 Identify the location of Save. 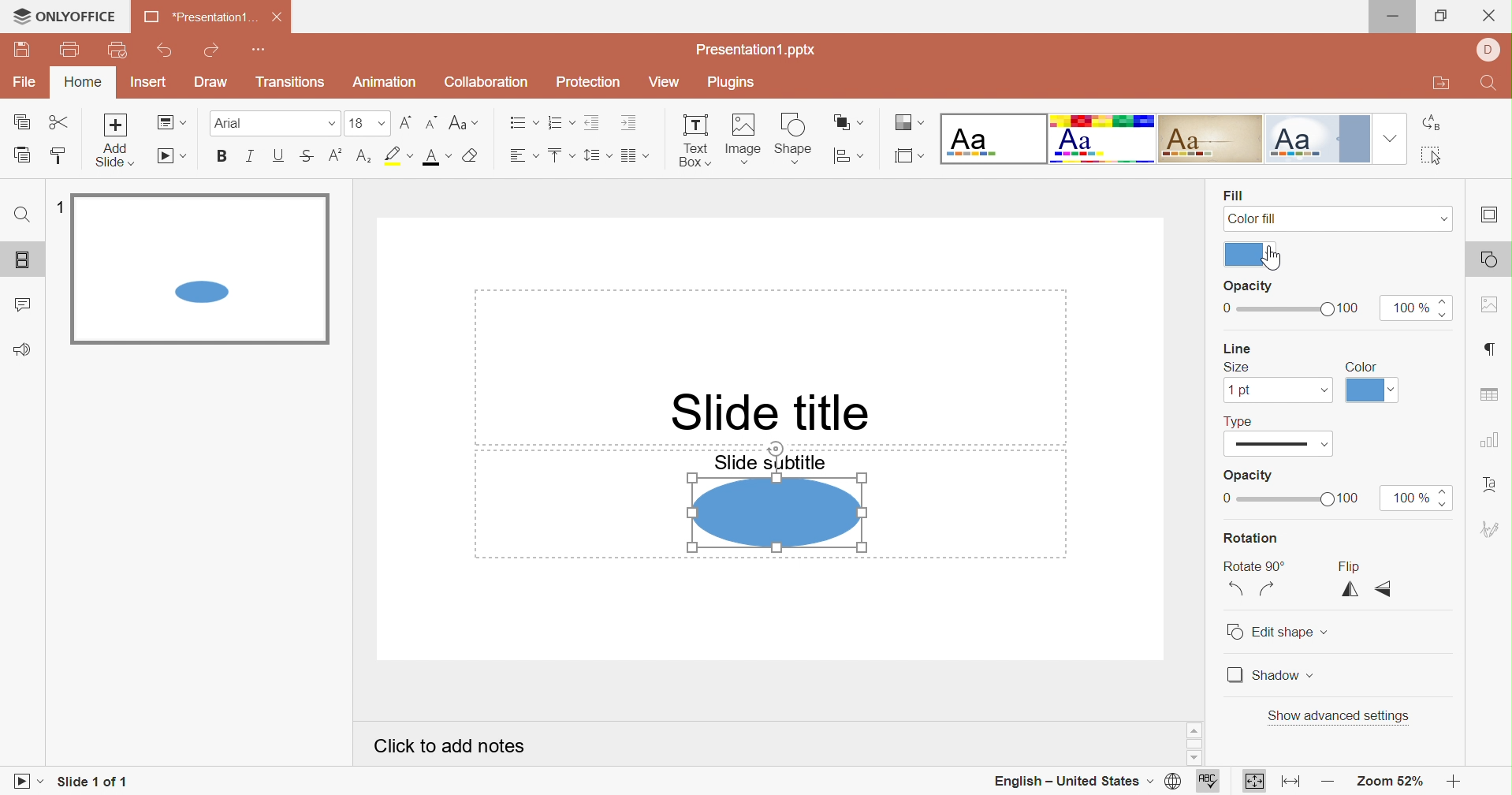
(23, 51).